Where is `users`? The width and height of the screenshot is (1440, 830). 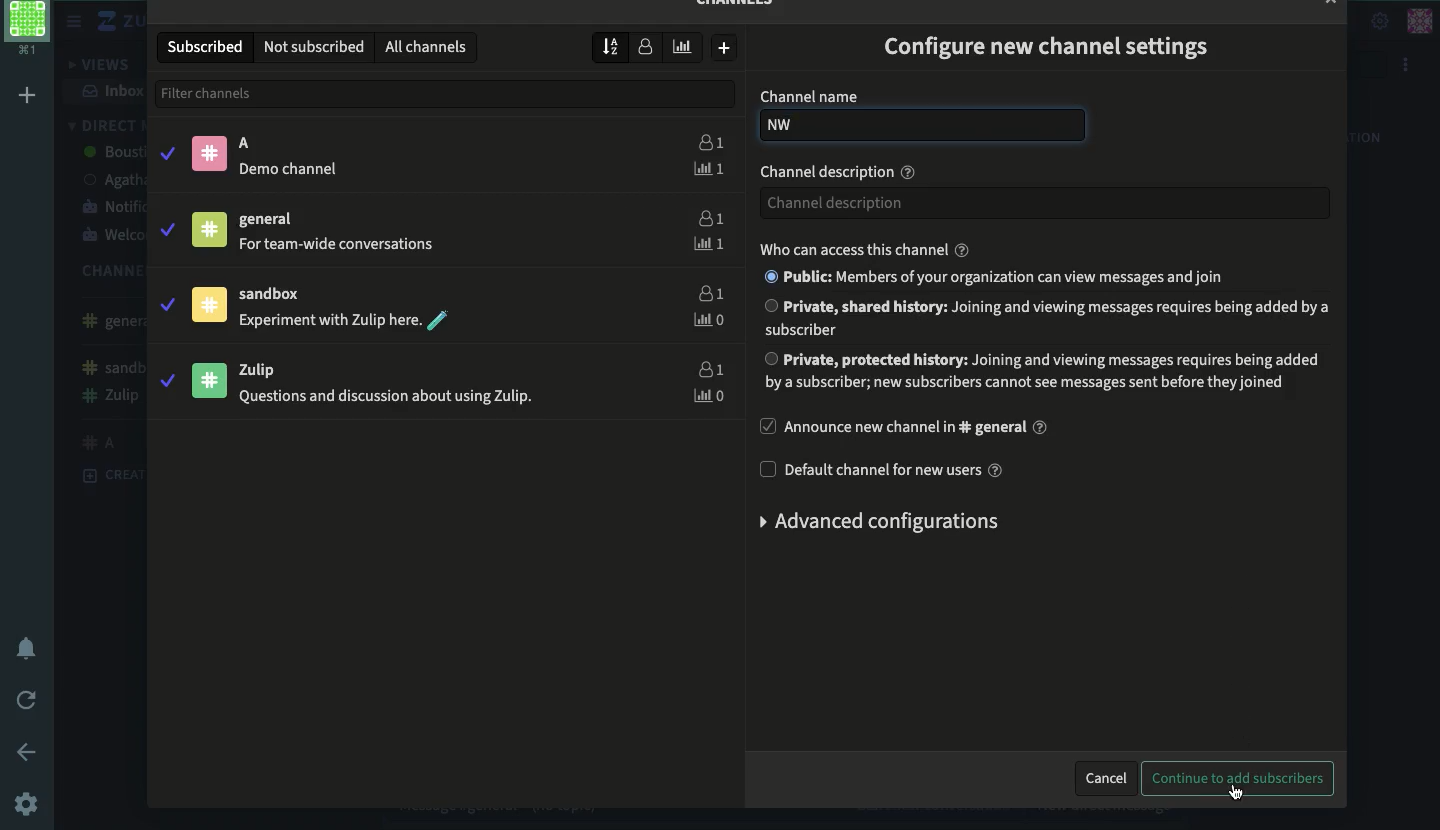 users is located at coordinates (710, 272).